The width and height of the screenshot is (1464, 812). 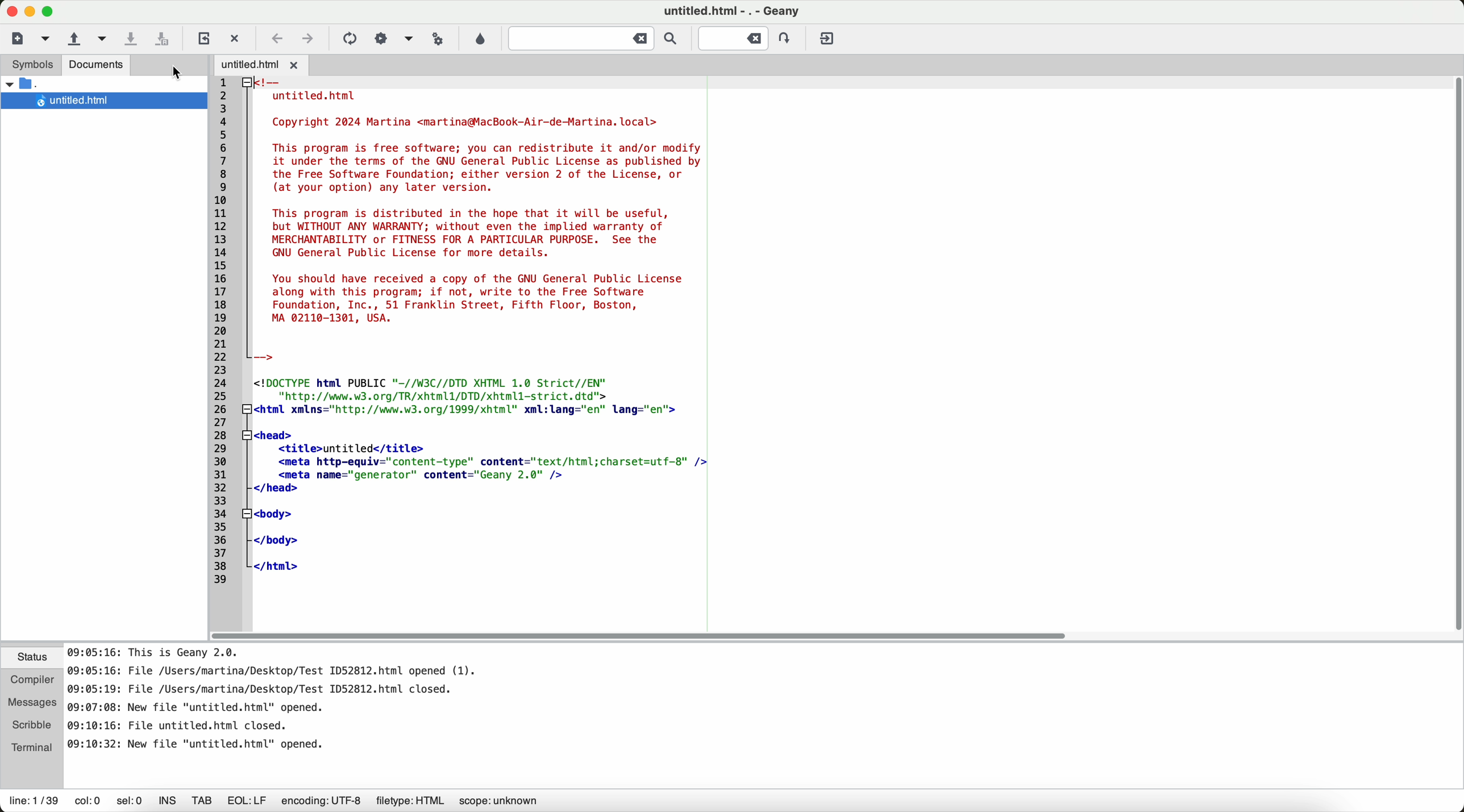 I want to click on choose more build actions, so click(x=410, y=41).